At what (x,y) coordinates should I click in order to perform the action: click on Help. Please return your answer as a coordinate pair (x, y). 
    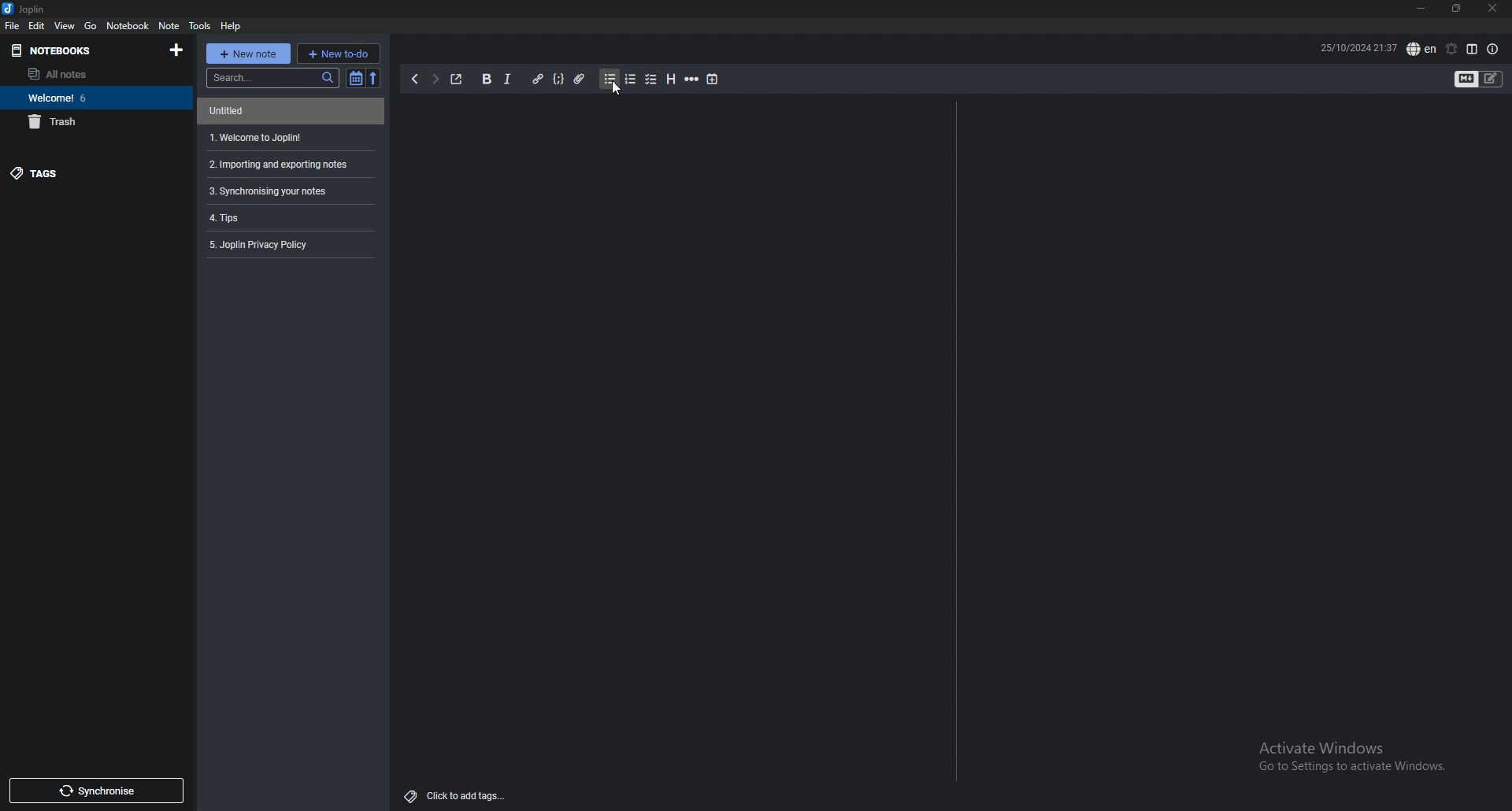
    Looking at the image, I should click on (233, 25).